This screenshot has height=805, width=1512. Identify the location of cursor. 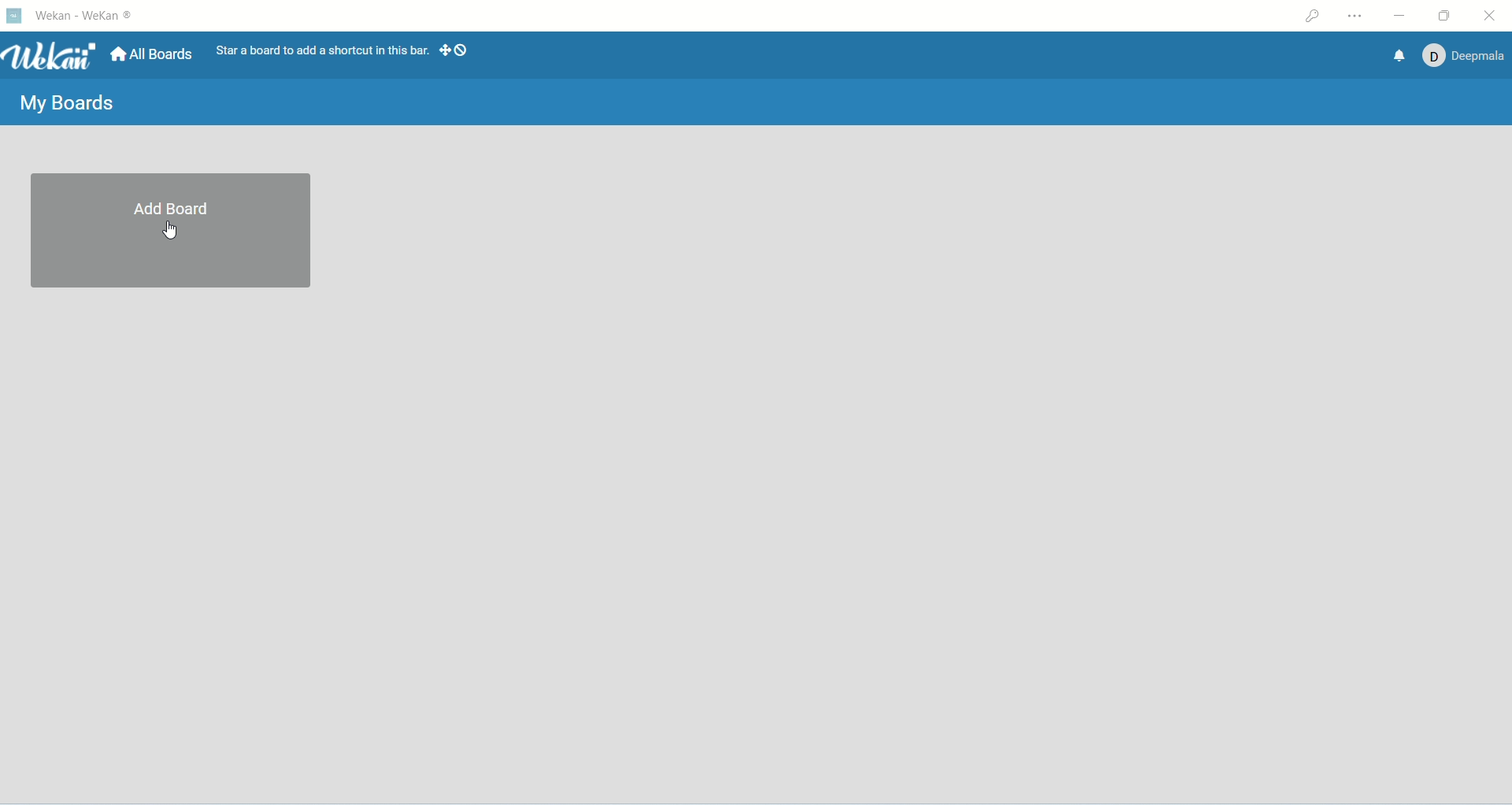
(169, 229).